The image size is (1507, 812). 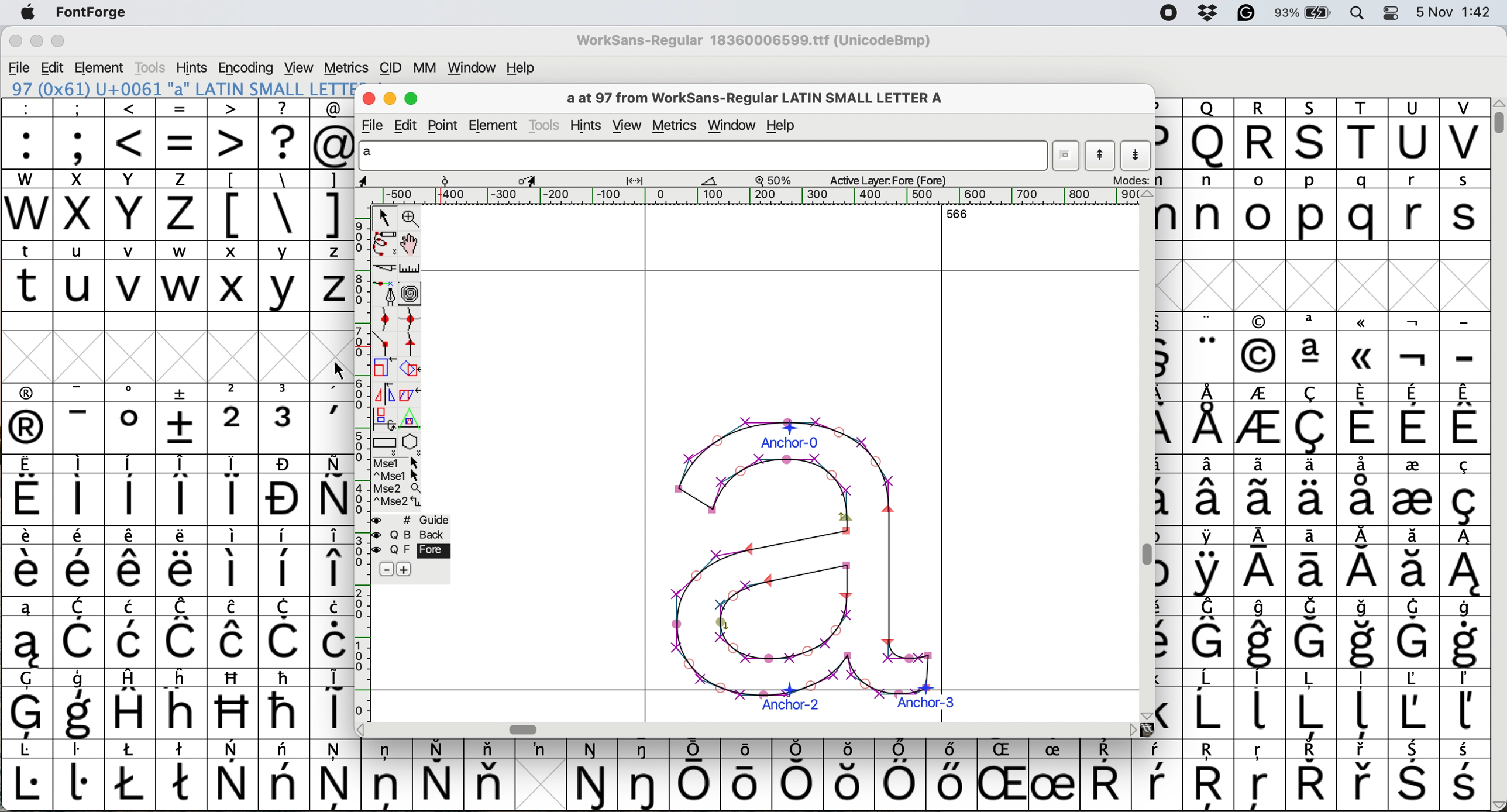 What do you see at coordinates (234, 490) in the screenshot?
I see `symbol` at bounding box center [234, 490].